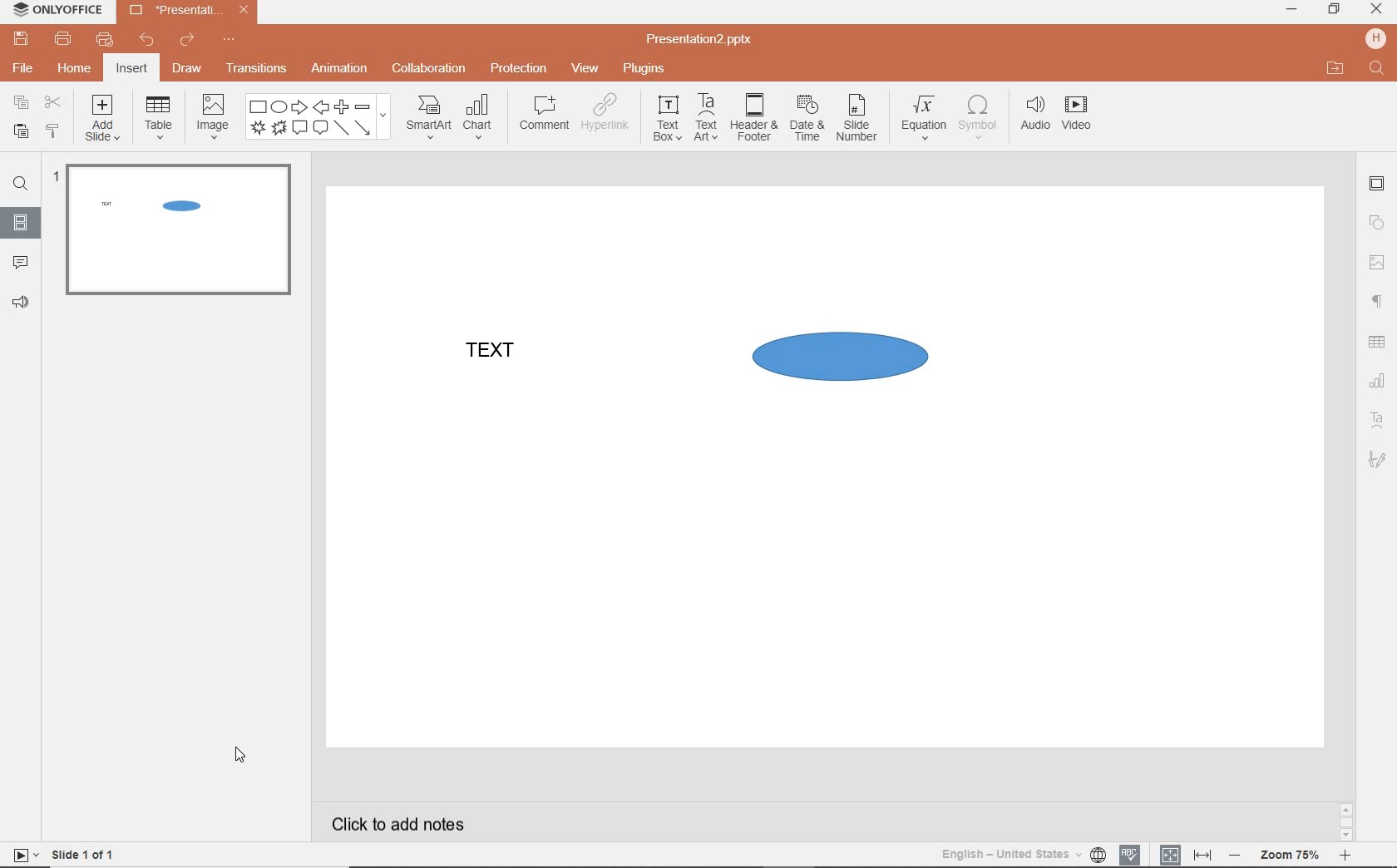  Describe the element at coordinates (921, 121) in the screenshot. I see `equation` at that location.